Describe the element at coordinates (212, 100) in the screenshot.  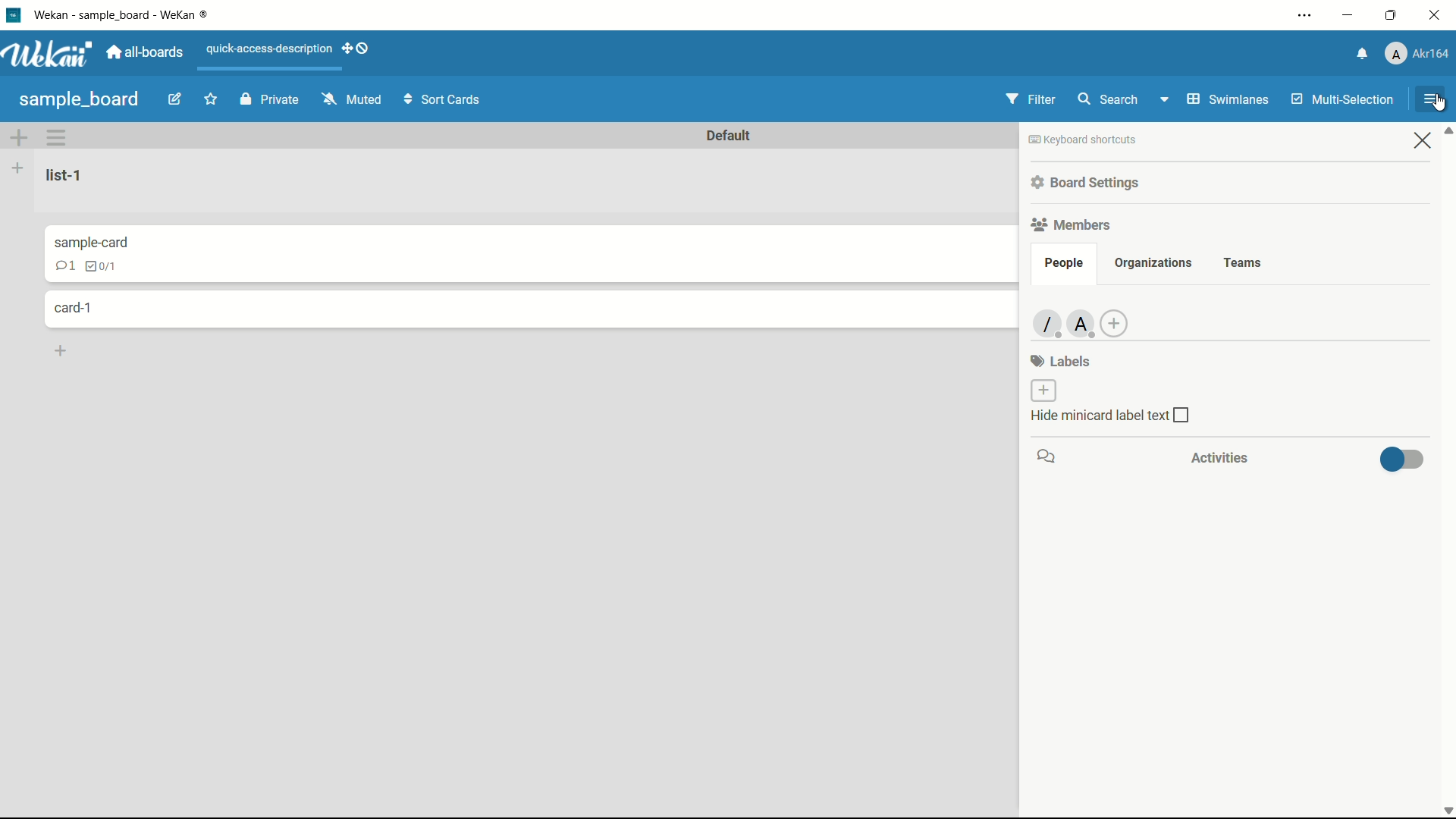
I see `star` at that location.